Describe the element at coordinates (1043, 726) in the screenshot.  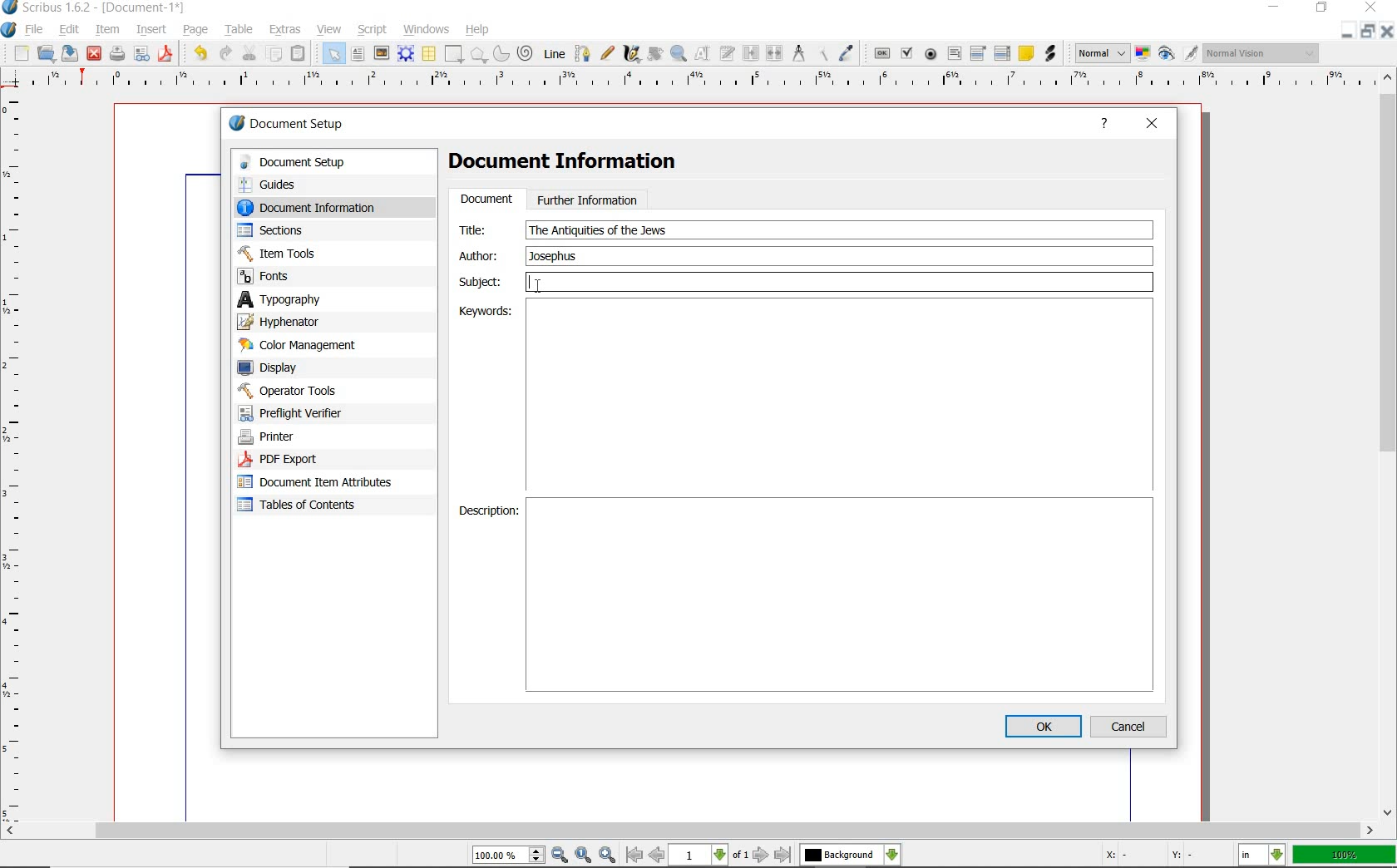
I see `ok` at that location.